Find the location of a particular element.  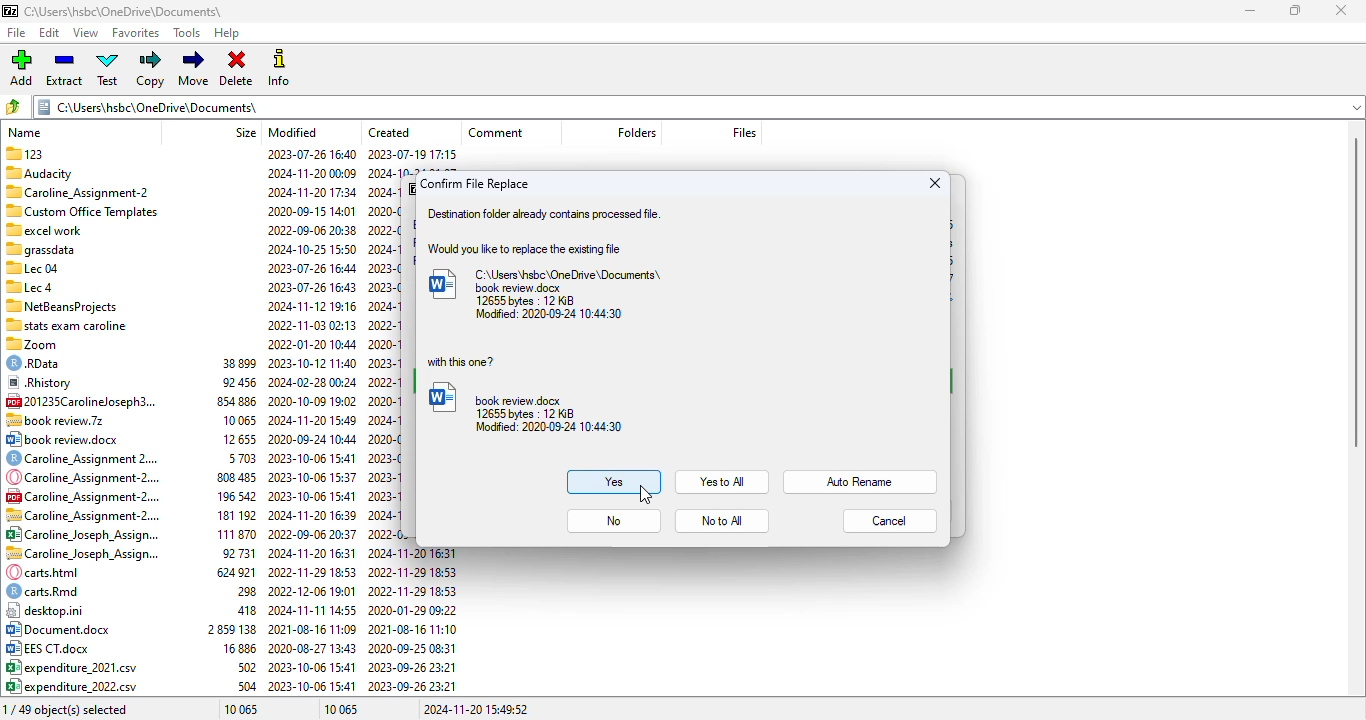

no to all is located at coordinates (724, 521).